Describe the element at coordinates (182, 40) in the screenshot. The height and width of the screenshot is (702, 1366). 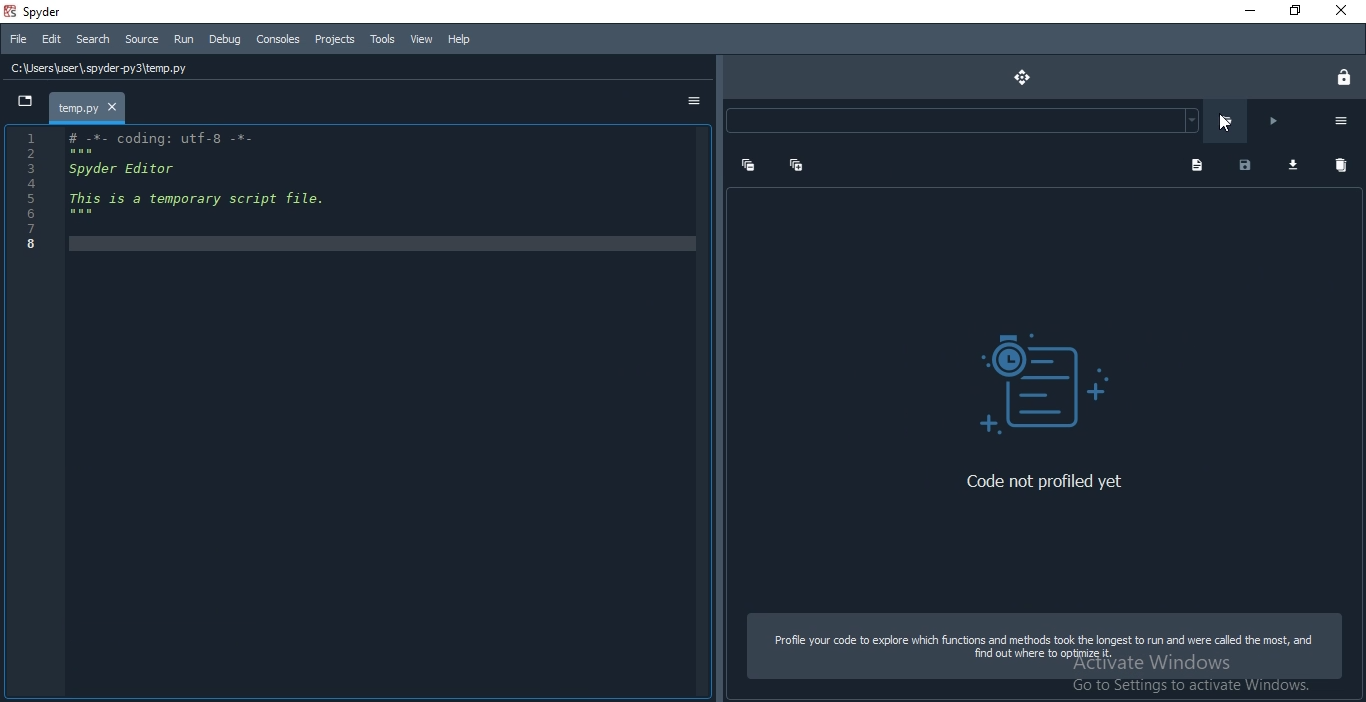
I see `Run` at that location.